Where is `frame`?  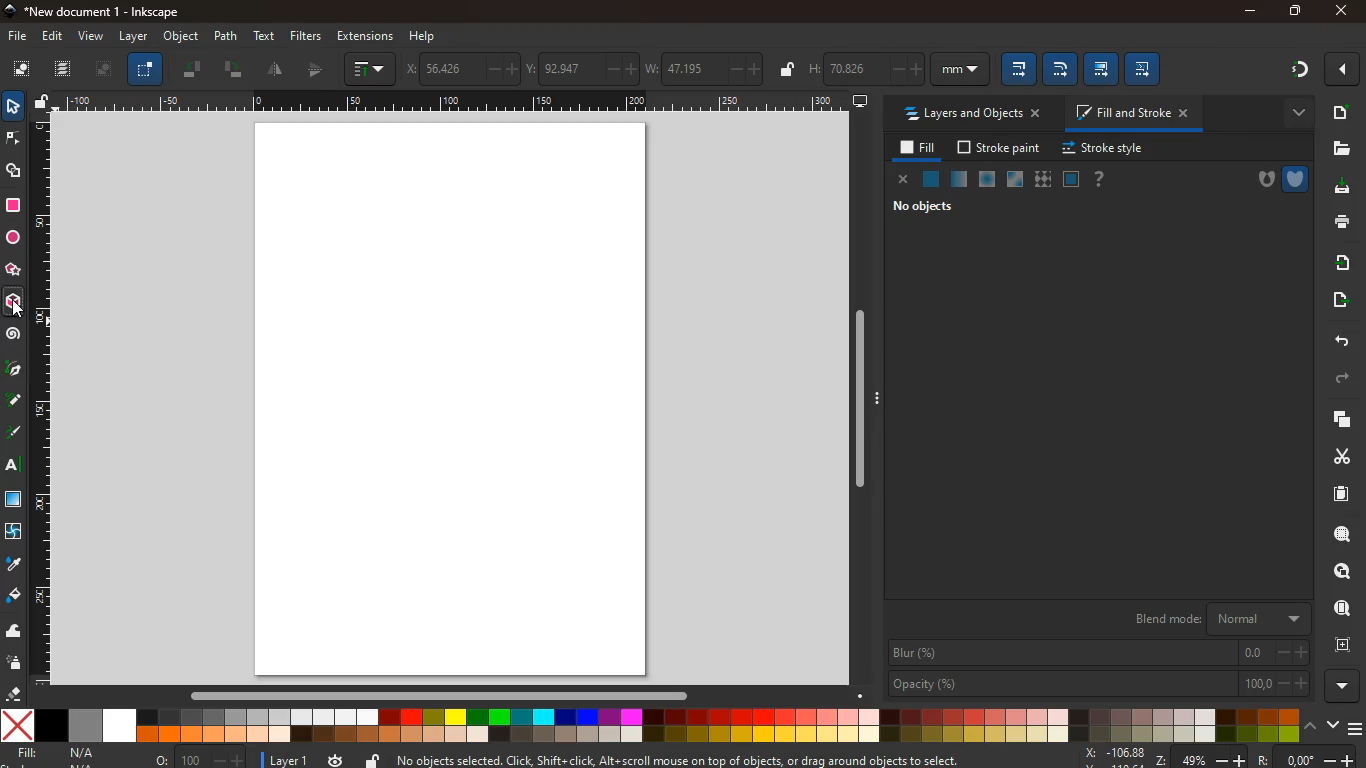 frame is located at coordinates (1071, 179).